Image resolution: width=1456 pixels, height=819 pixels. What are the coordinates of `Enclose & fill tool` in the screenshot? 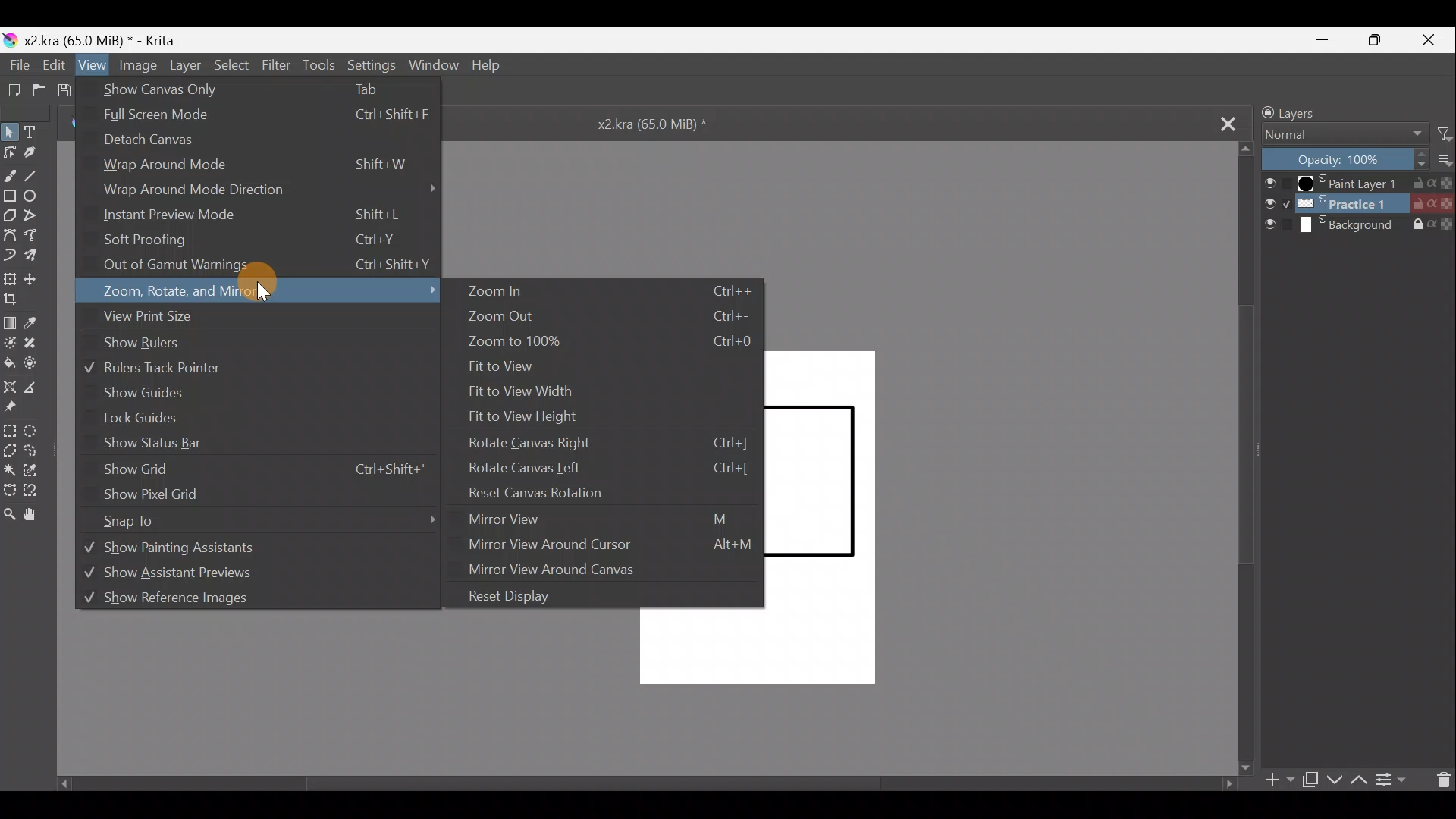 It's located at (39, 363).